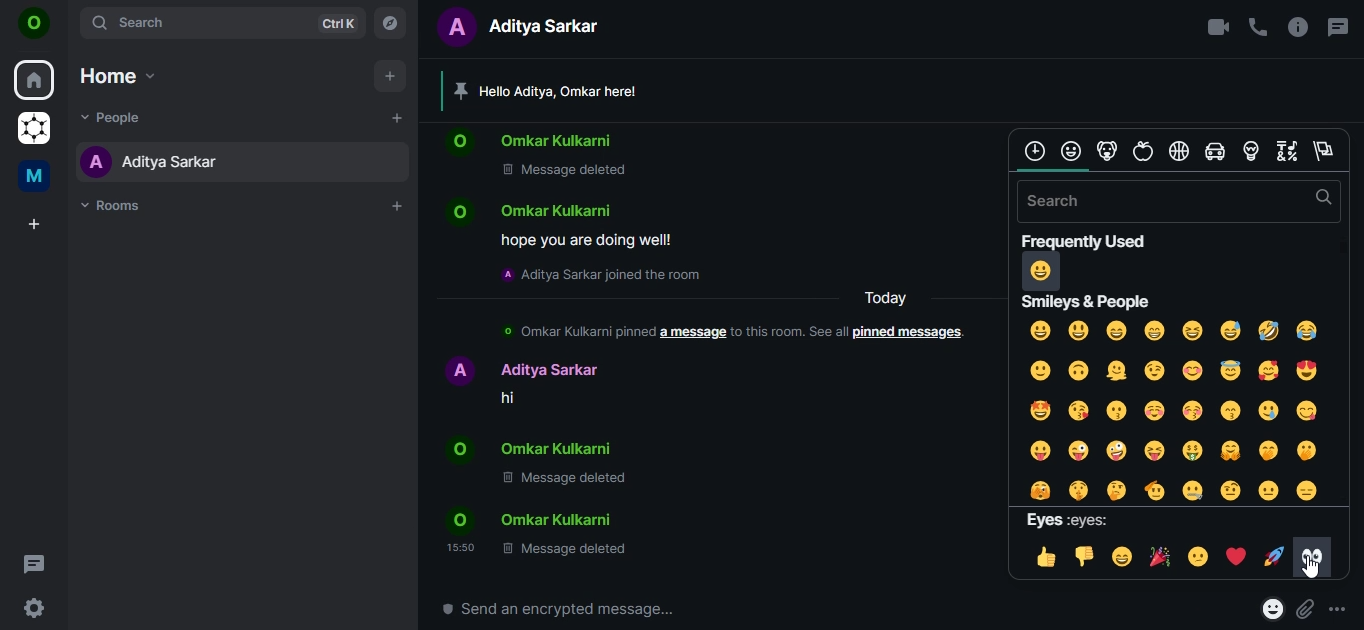 The image size is (1364, 630). What do you see at coordinates (1310, 488) in the screenshot?
I see `expressionless face` at bounding box center [1310, 488].